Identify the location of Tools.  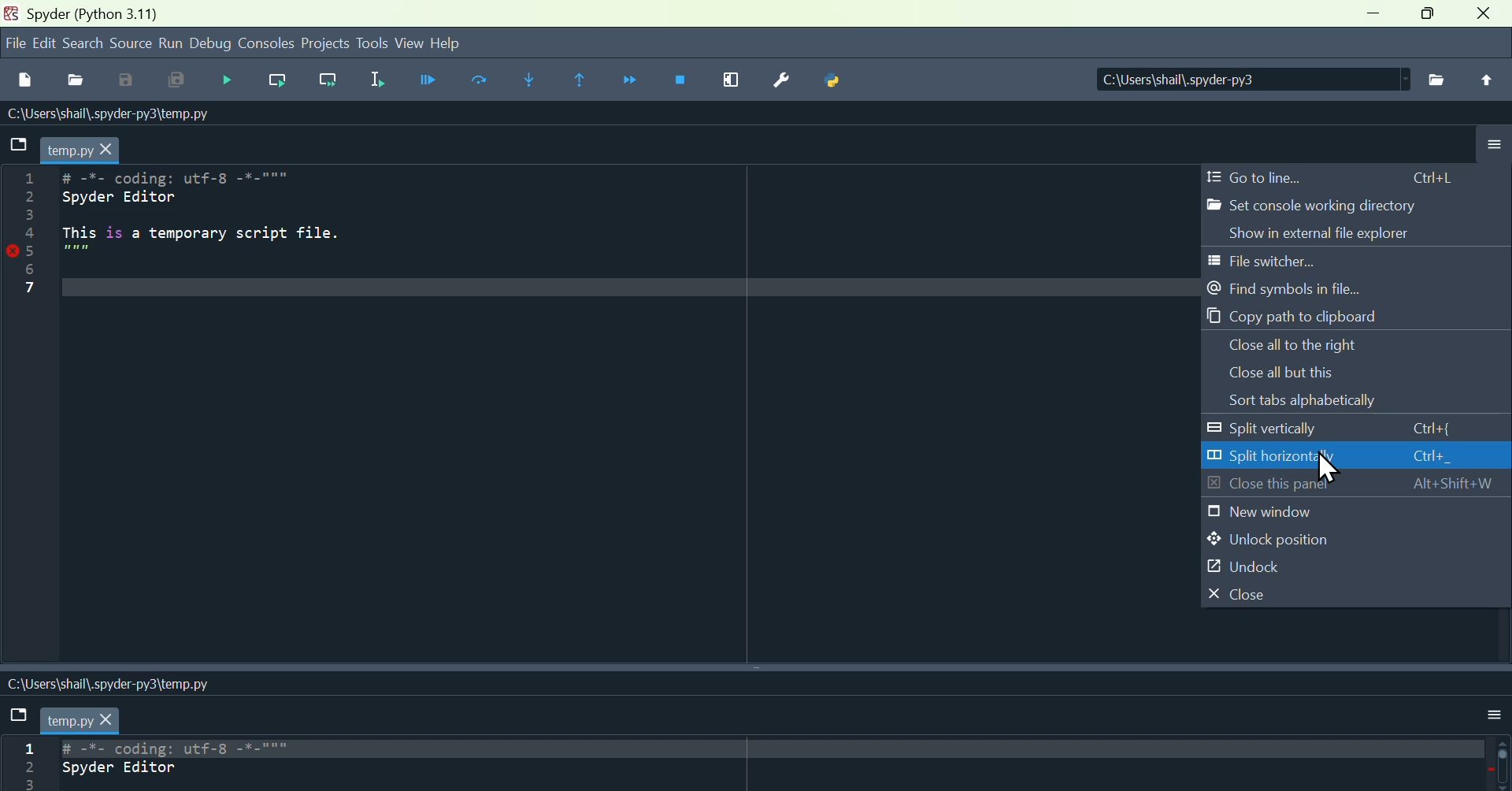
(371, 43).